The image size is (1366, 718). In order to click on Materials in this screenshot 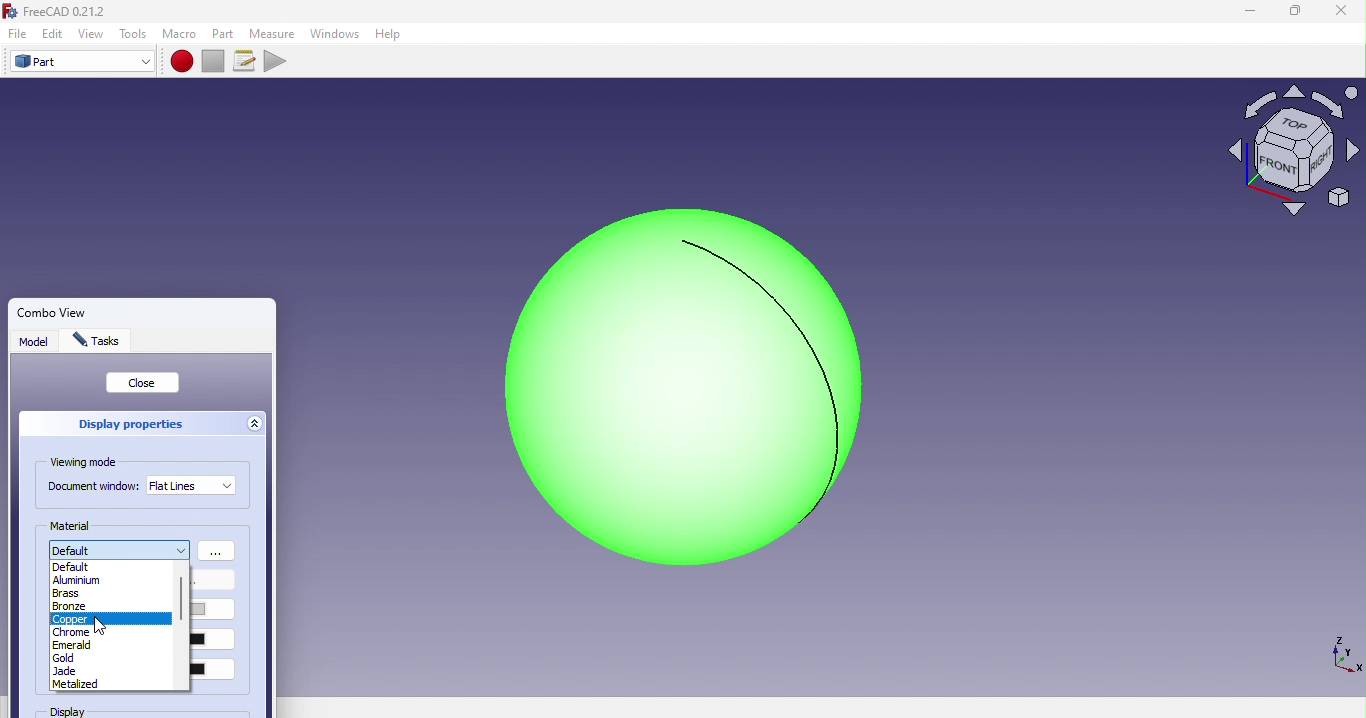, I will do `click(120, 548)`.